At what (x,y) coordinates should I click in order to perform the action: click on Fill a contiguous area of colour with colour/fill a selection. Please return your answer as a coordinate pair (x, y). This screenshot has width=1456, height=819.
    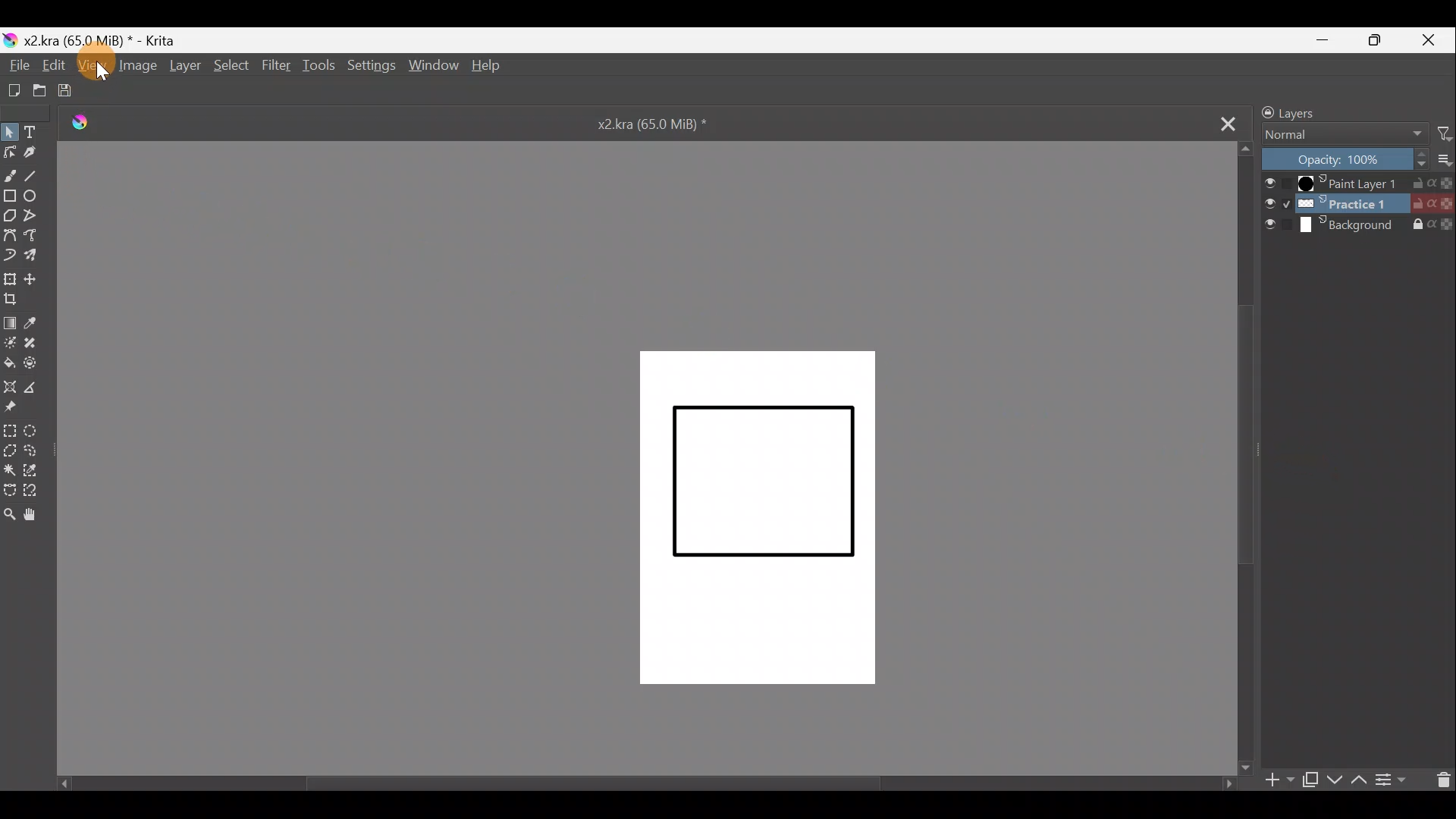
    Looking at the image, I should click on (9, 362).